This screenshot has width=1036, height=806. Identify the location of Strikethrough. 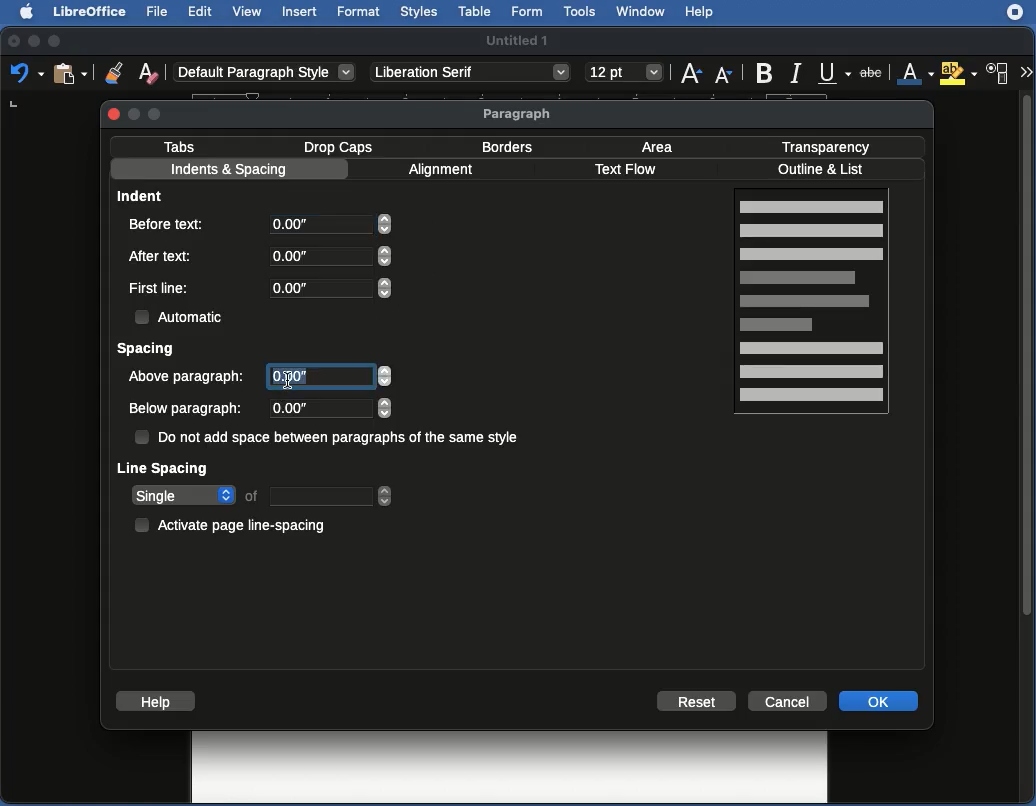
(875, 73).